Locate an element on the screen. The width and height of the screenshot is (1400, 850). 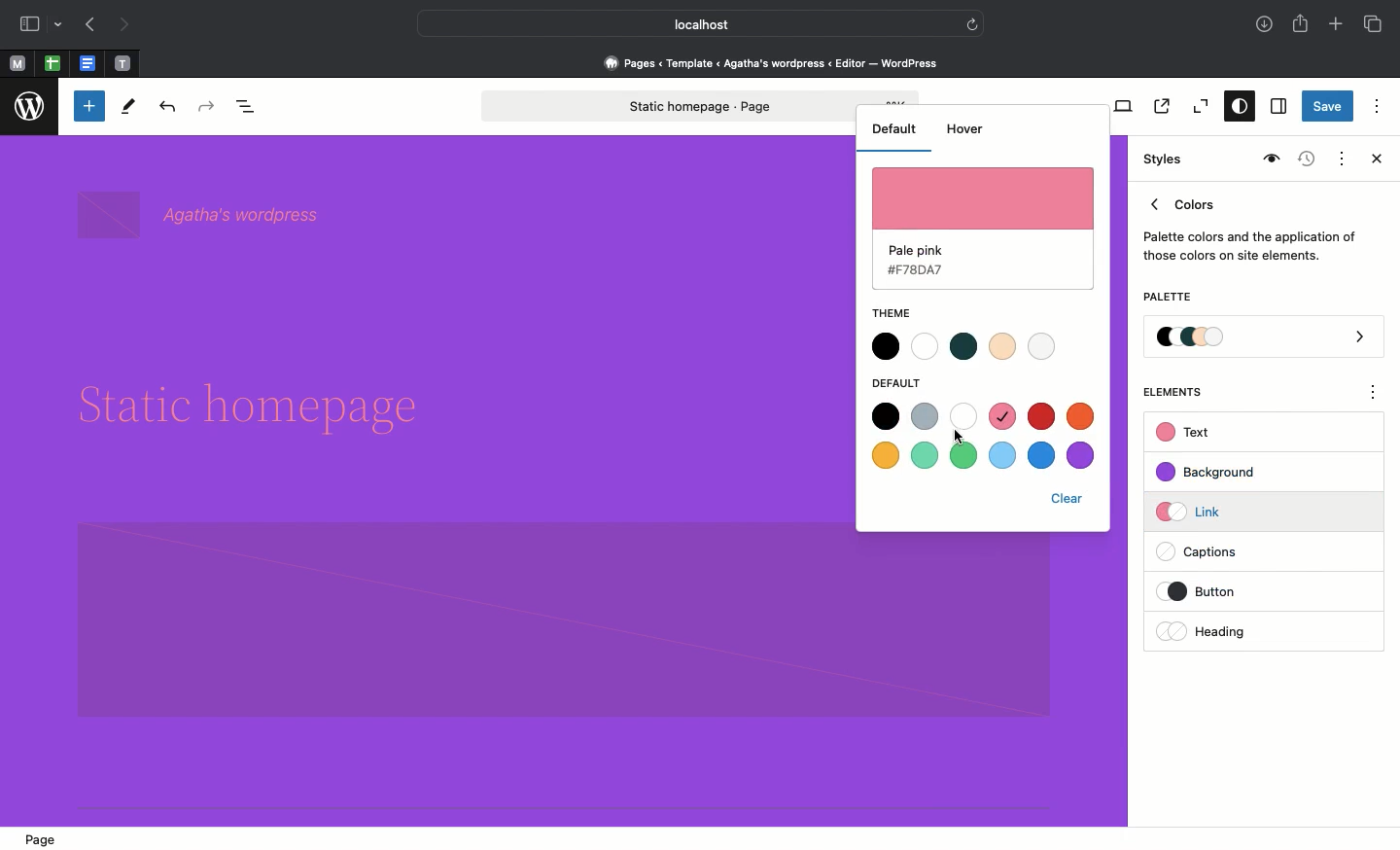
Pinned tab is located at coordinates (89, 64).